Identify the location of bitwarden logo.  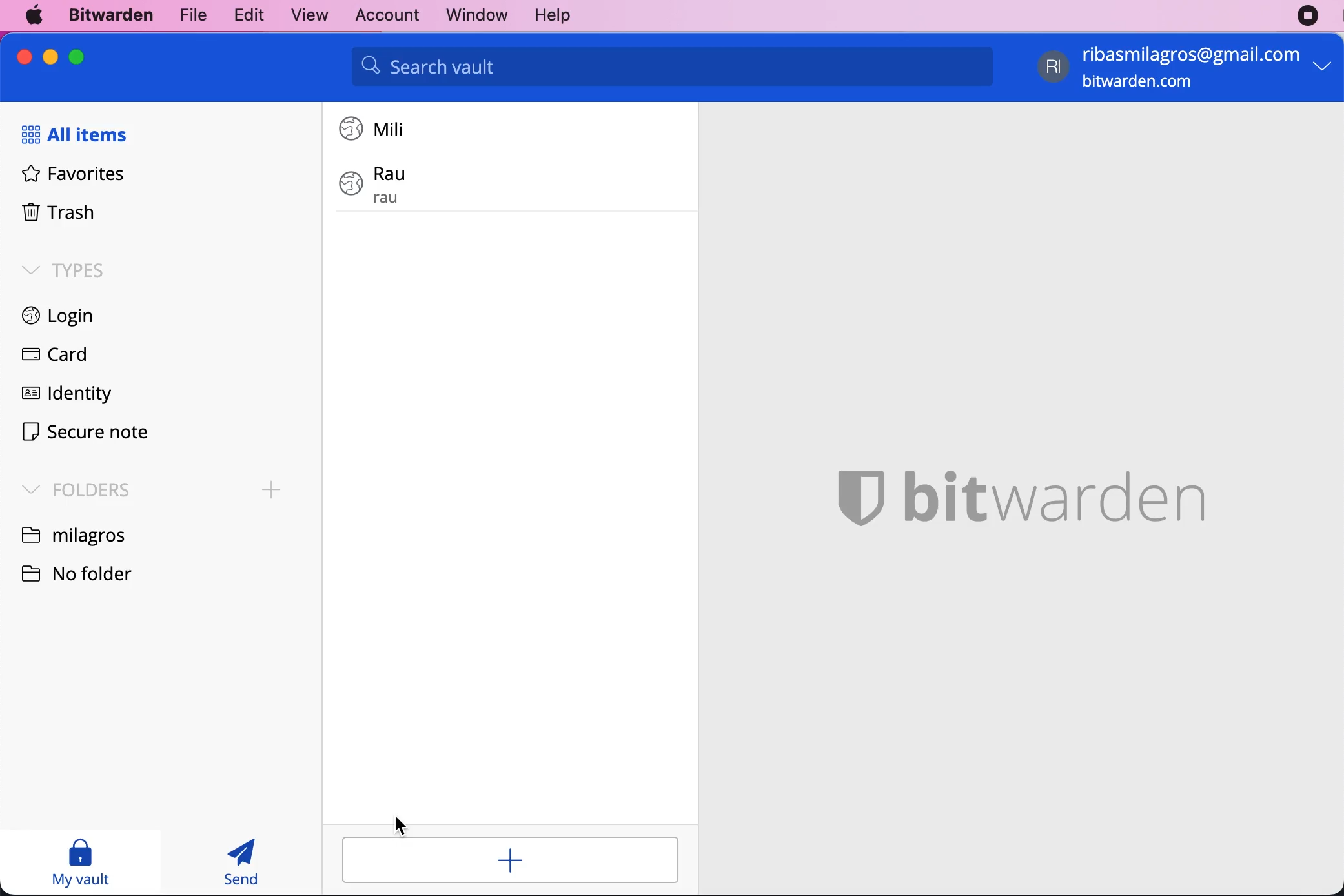
(1019, 491).